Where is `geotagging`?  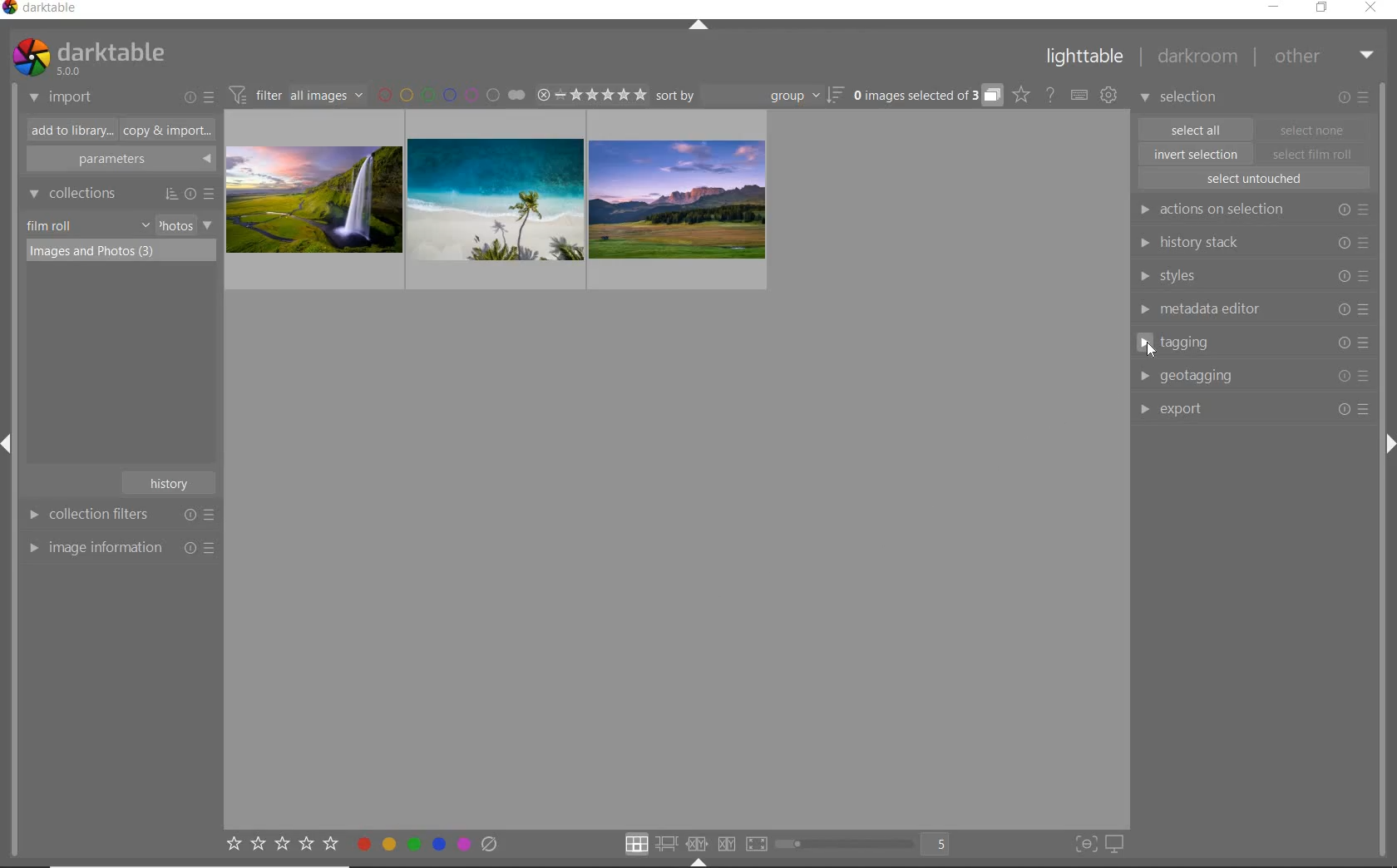
geotagging is located at coordinates (1254, 374).